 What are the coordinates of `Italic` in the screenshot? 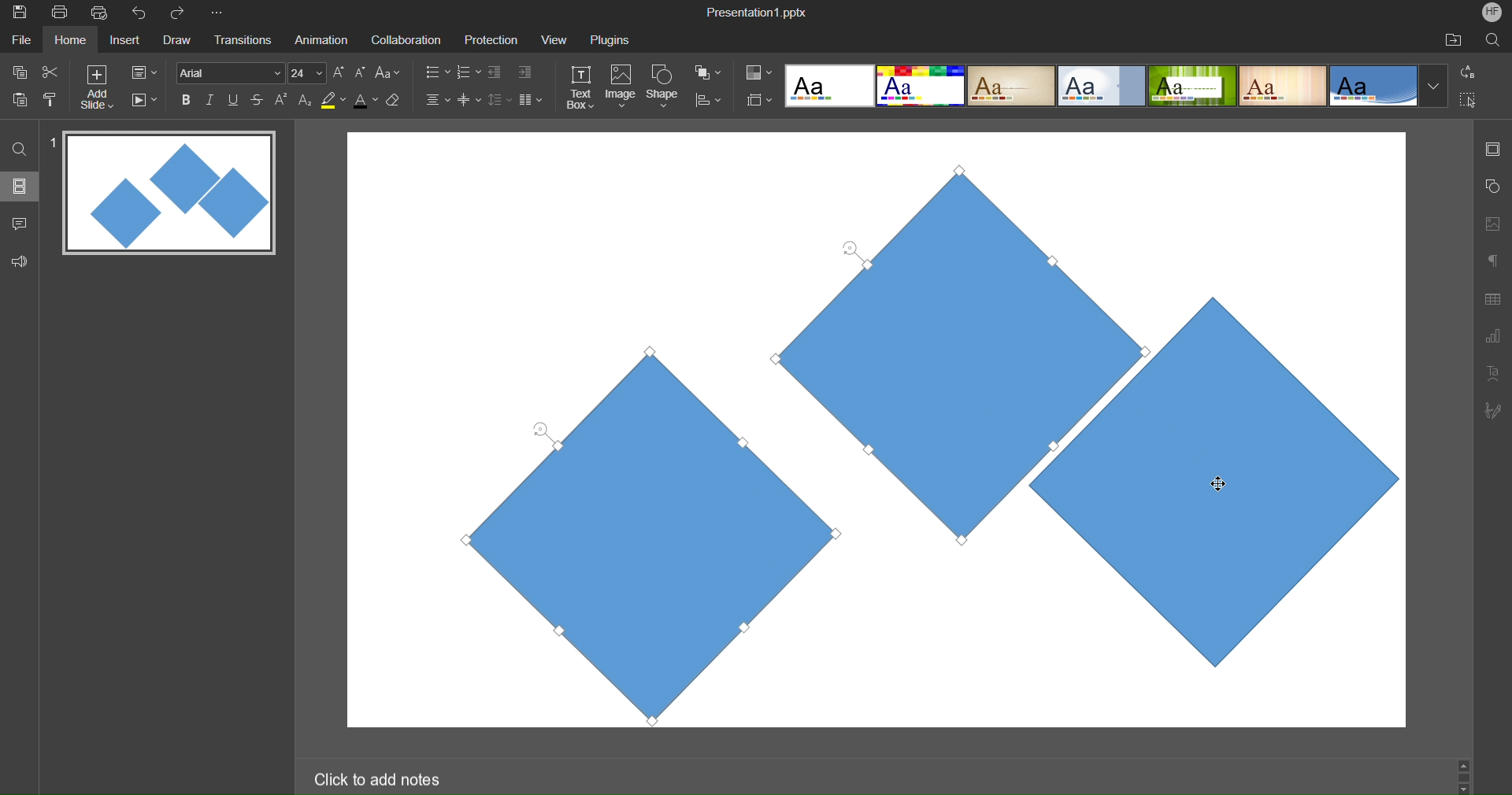 It's located at (209, 100).